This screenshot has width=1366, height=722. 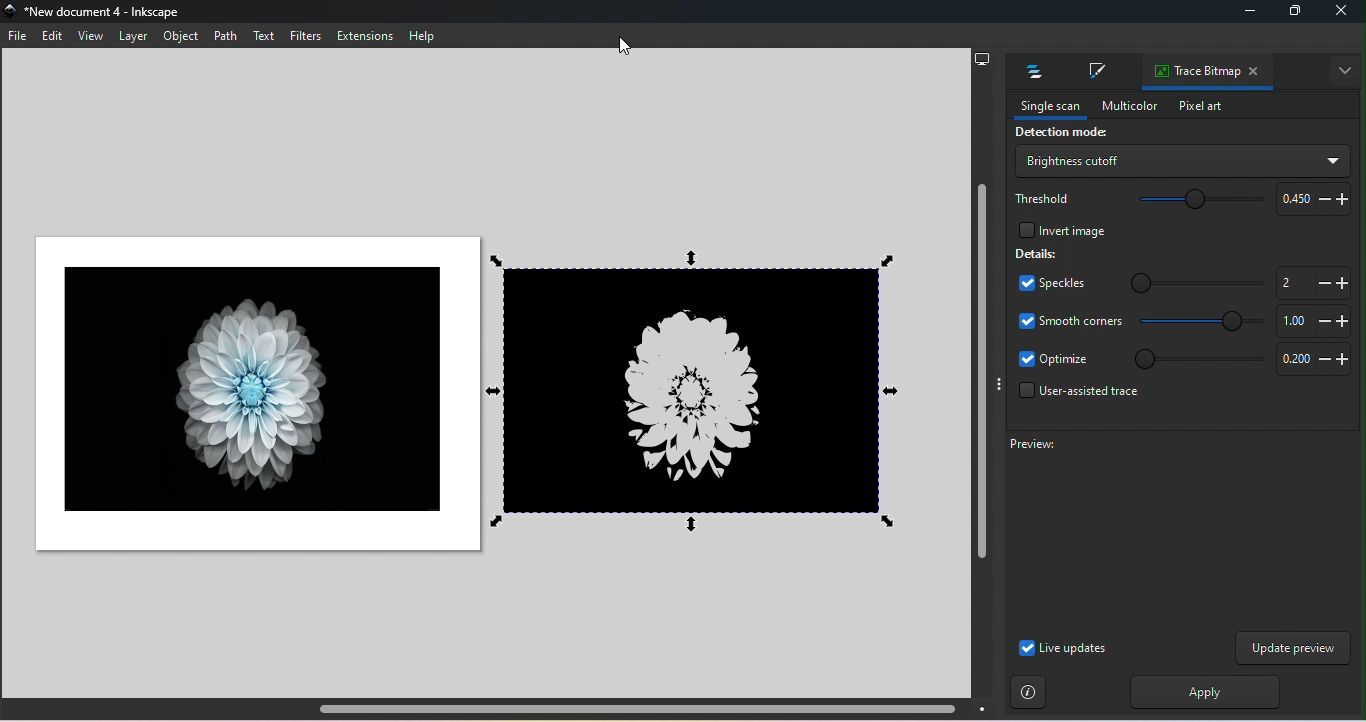 I want to click on Horizontal scroll bar, so click(x=500, y=709).